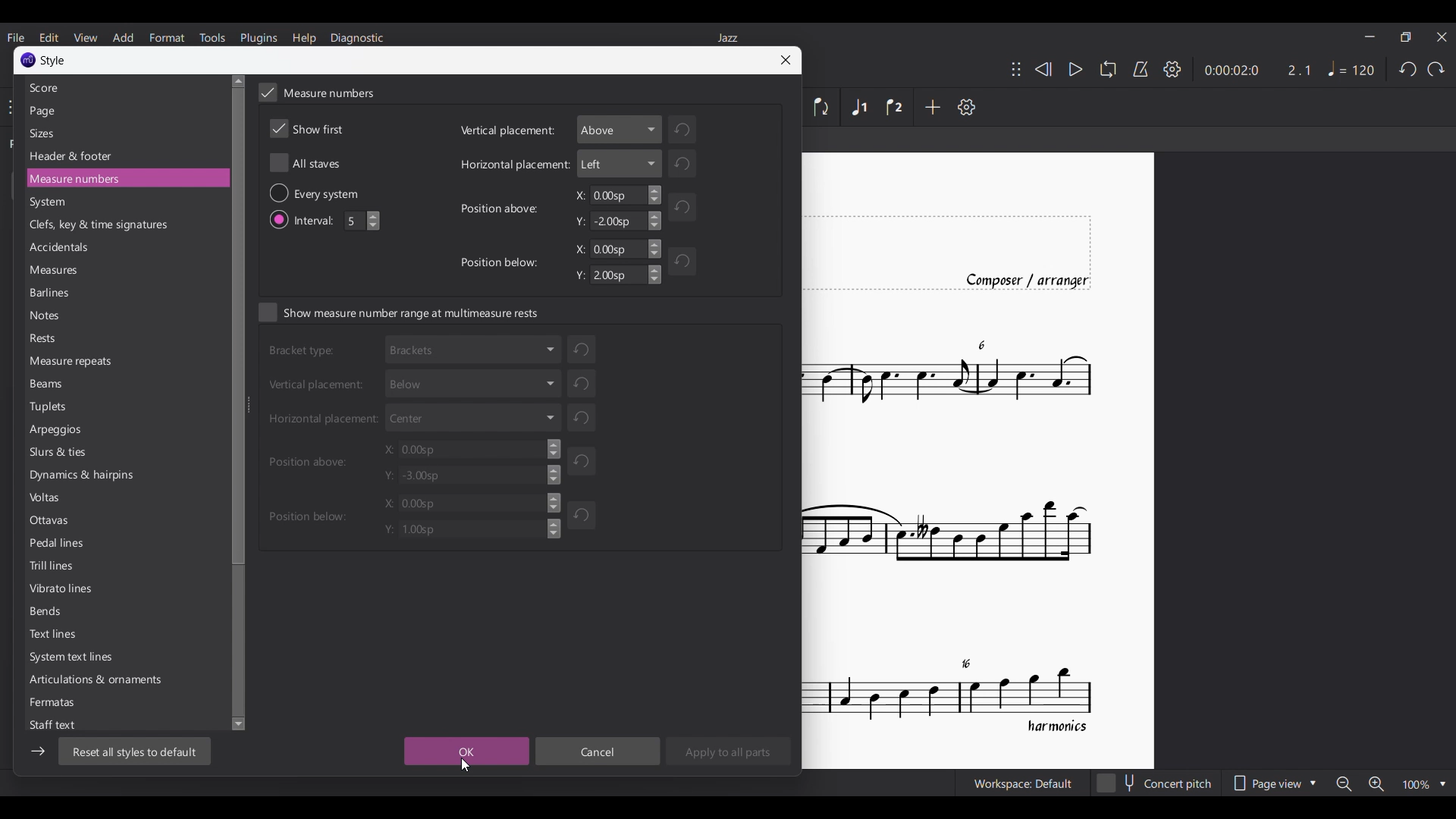 This screenshot has height=819, width=1456. I want to click on Metronome, so click(1141, 69).